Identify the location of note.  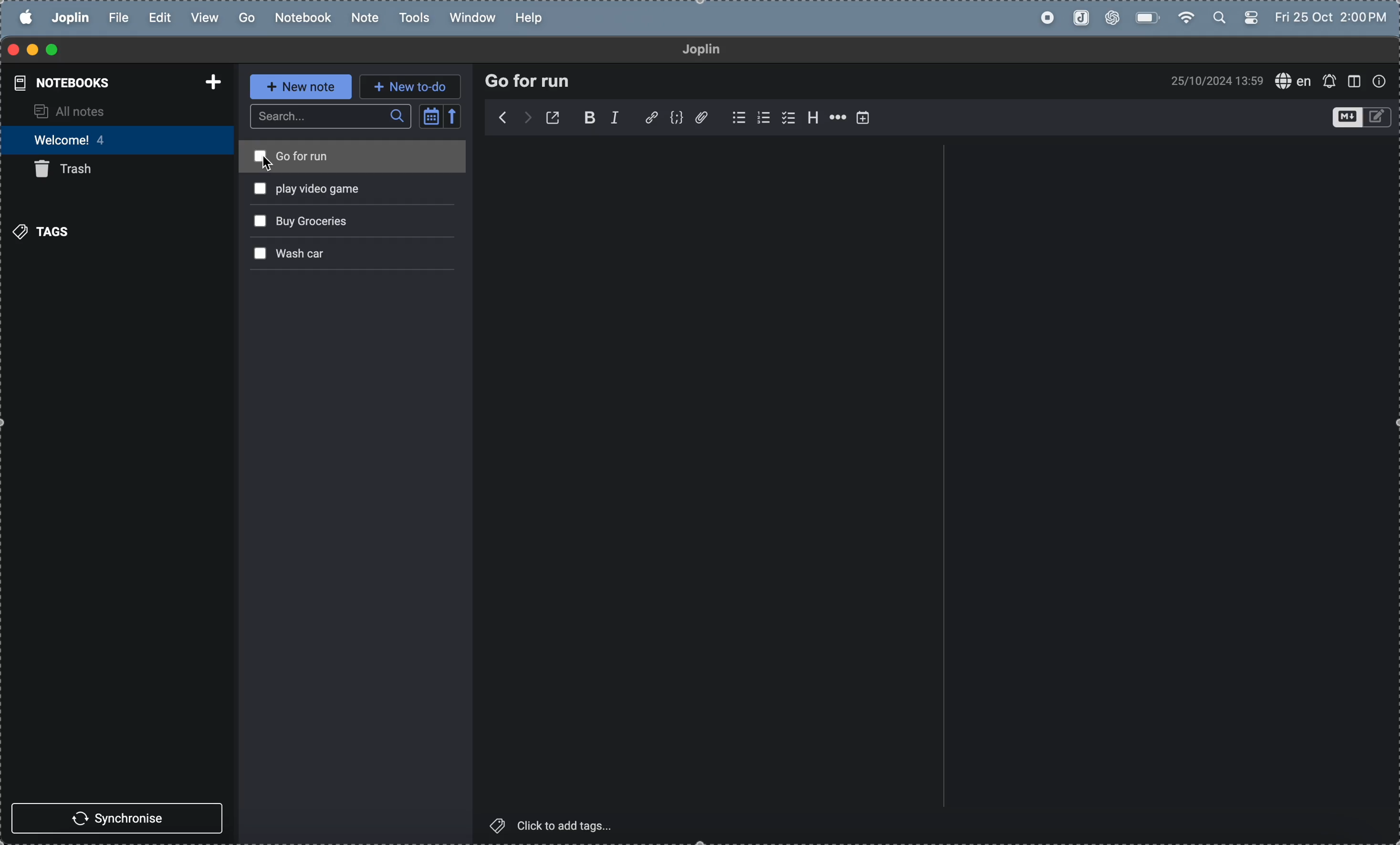
(360, 18).